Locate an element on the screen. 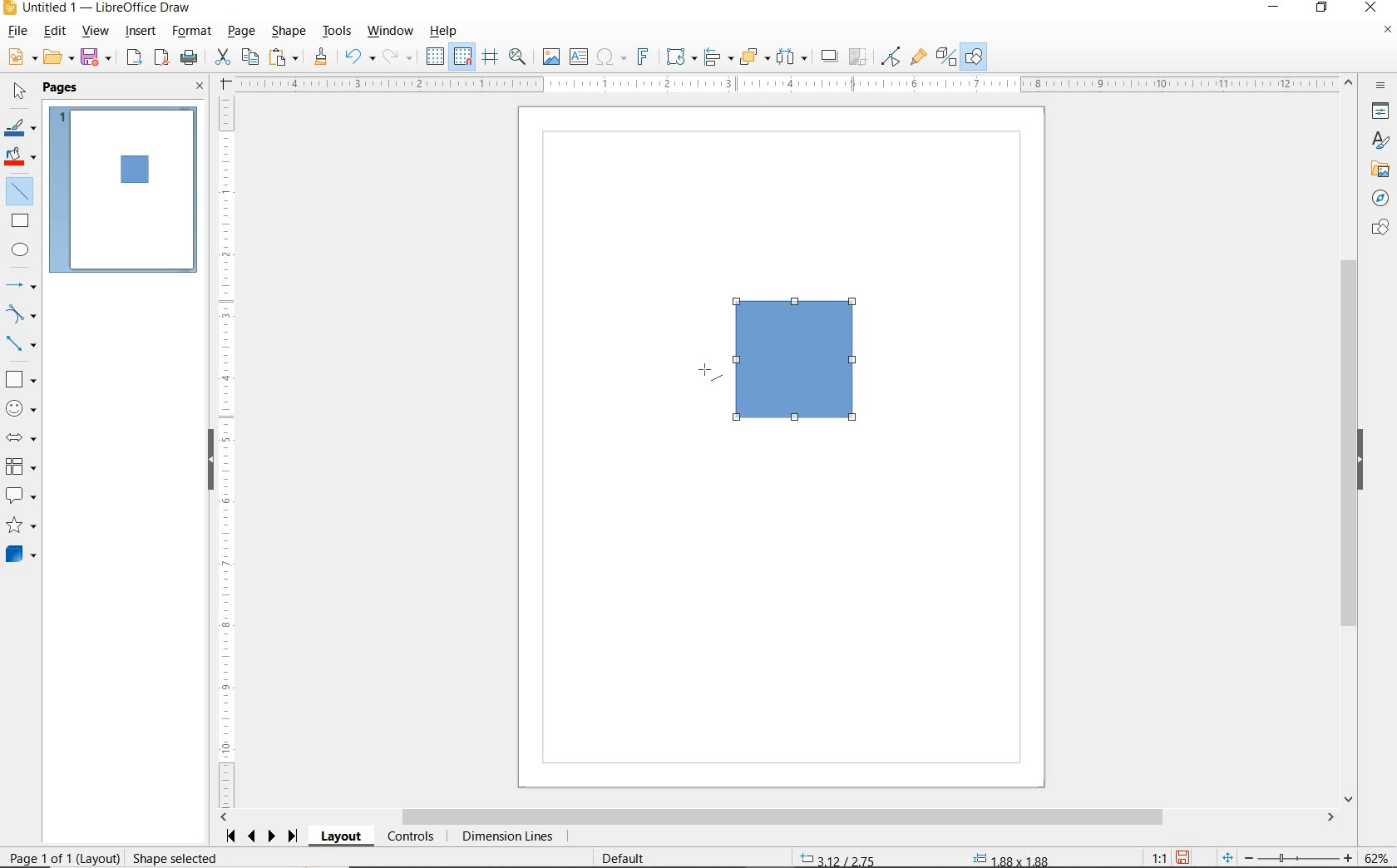 This screenshot has height=868, width=1397. PAGES is located at coordinates (62, 89).